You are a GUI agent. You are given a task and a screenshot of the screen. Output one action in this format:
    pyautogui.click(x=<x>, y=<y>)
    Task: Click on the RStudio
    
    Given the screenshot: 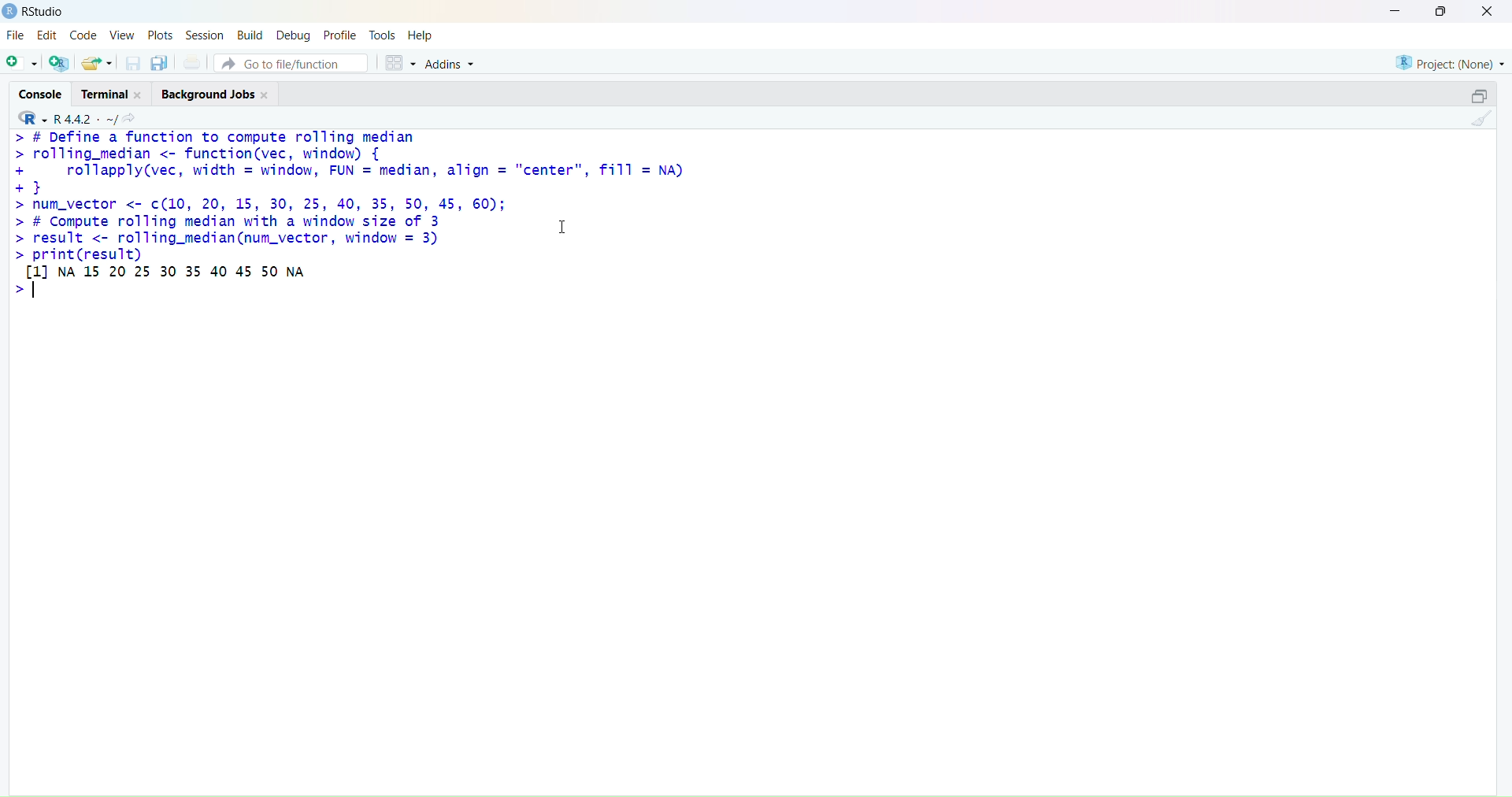 What is the action you would take?
    pyautogui.click(x=46, y=12)
    